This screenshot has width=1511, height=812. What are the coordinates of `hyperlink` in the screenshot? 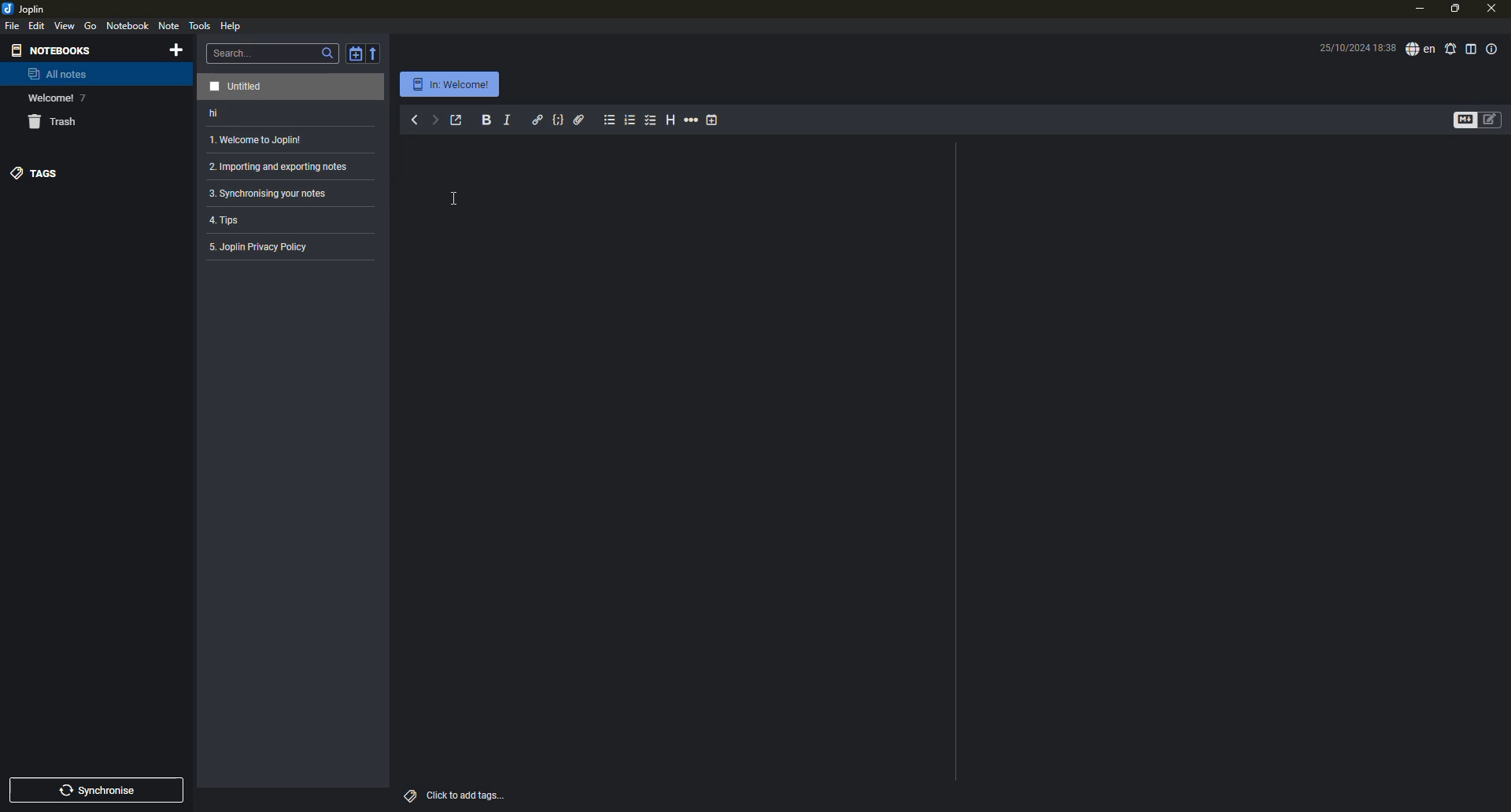 It's located at (537, 119).